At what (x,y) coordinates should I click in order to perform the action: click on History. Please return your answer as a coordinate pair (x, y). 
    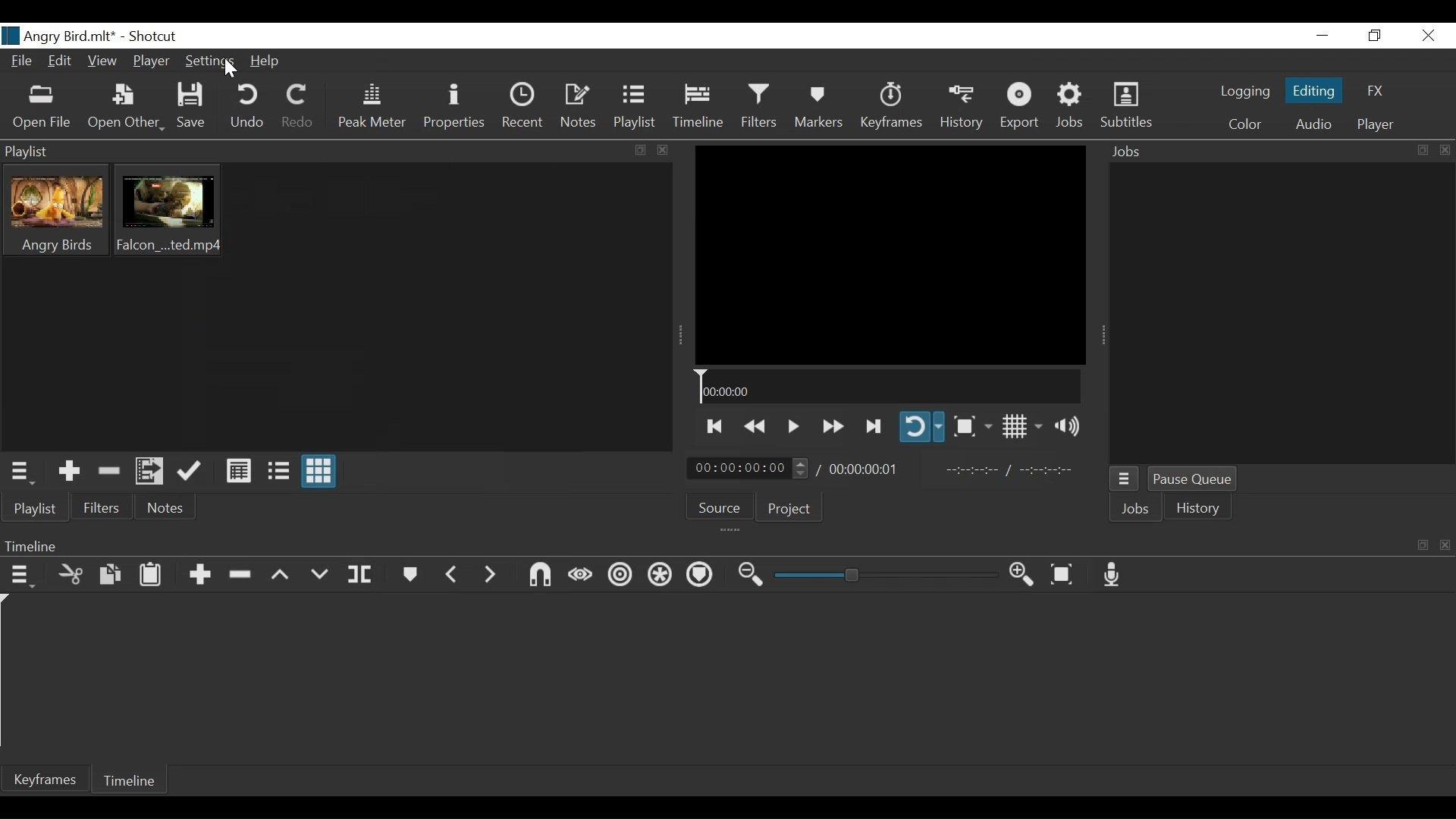
    Looking at the image, I should click on (1199, 507).